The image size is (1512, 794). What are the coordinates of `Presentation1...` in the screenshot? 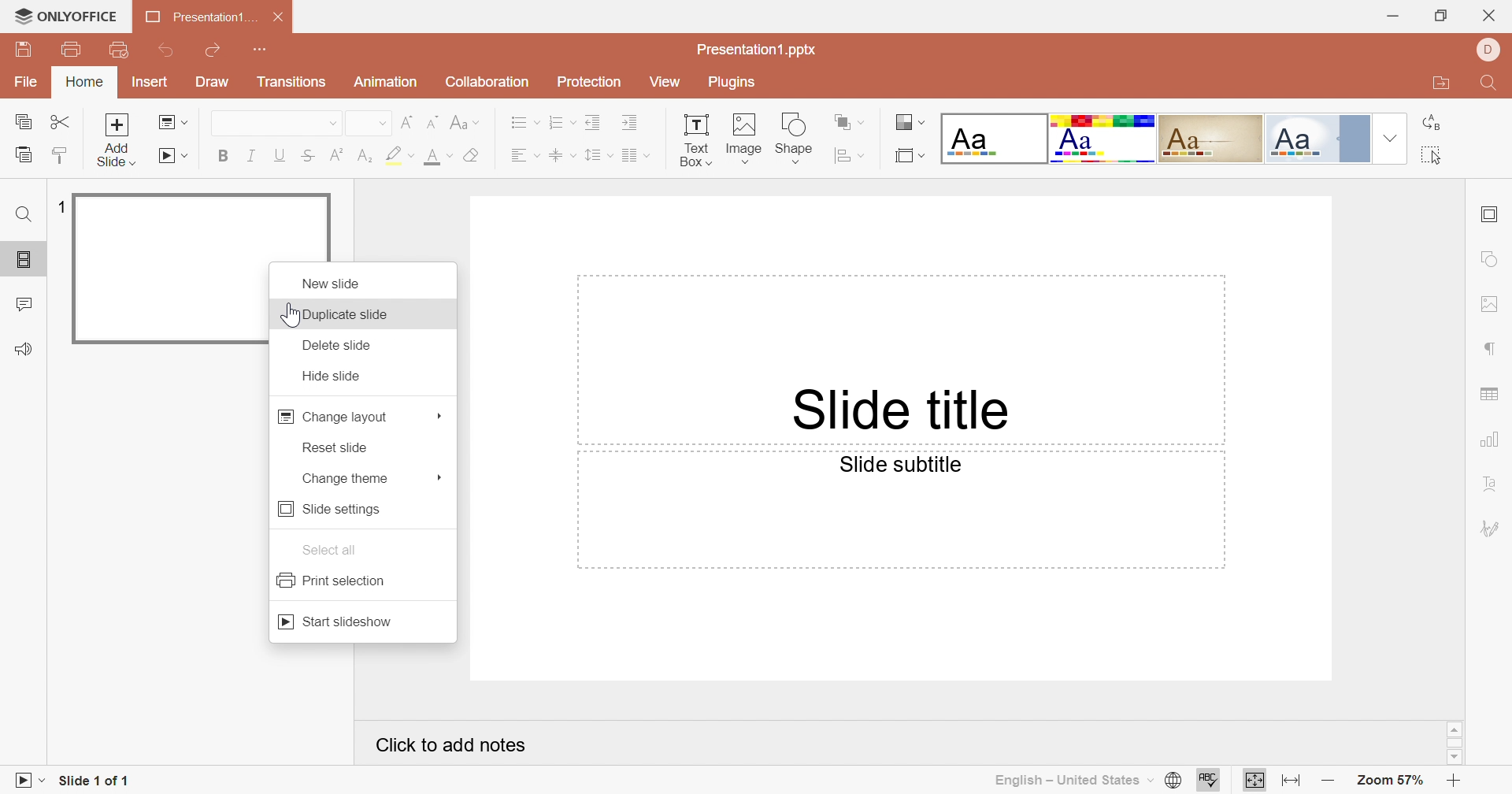 It's located at (201, 17).